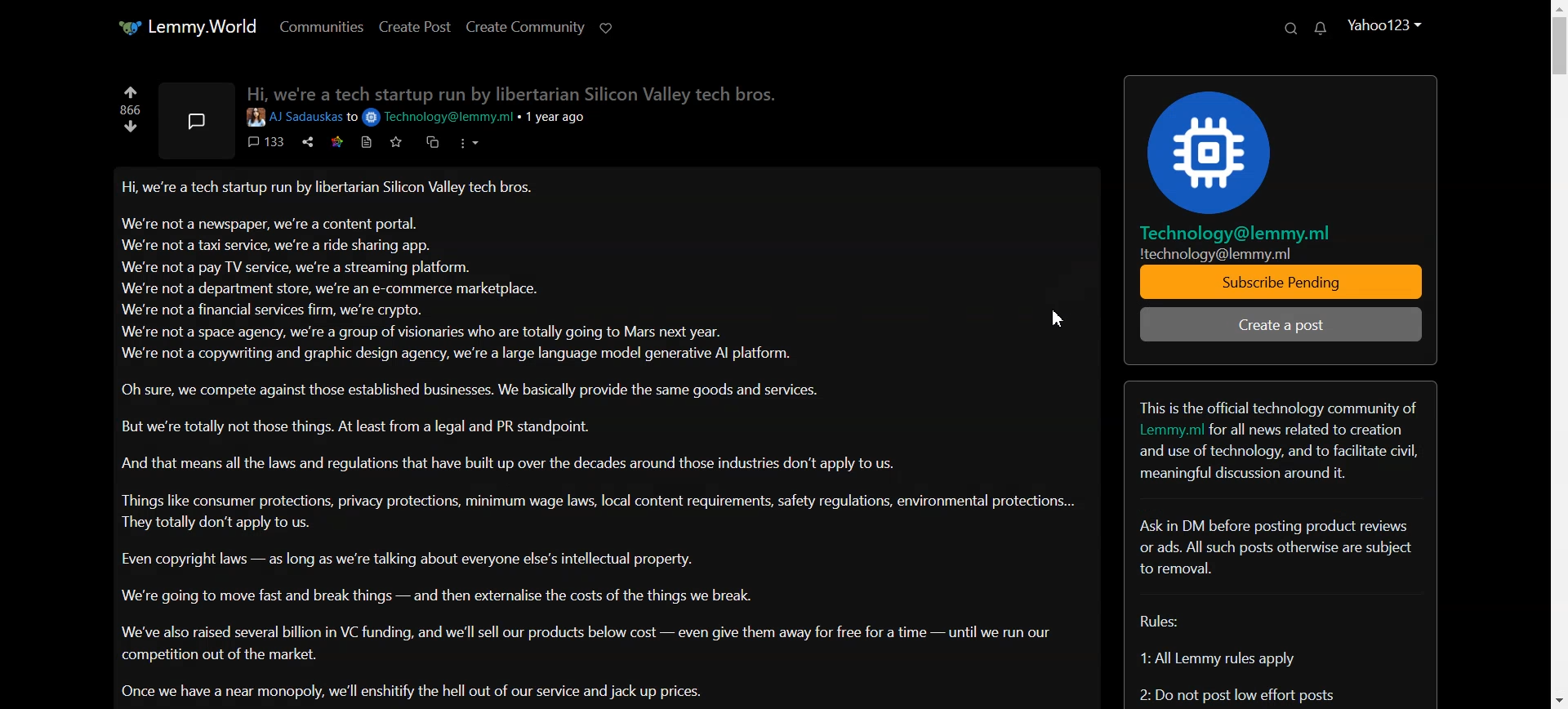 This screenshot has width=1568, height=709. What do you see at coordinates (366, 142) in the screenshot?
I see `View Source` at bounding box center [366, 142].